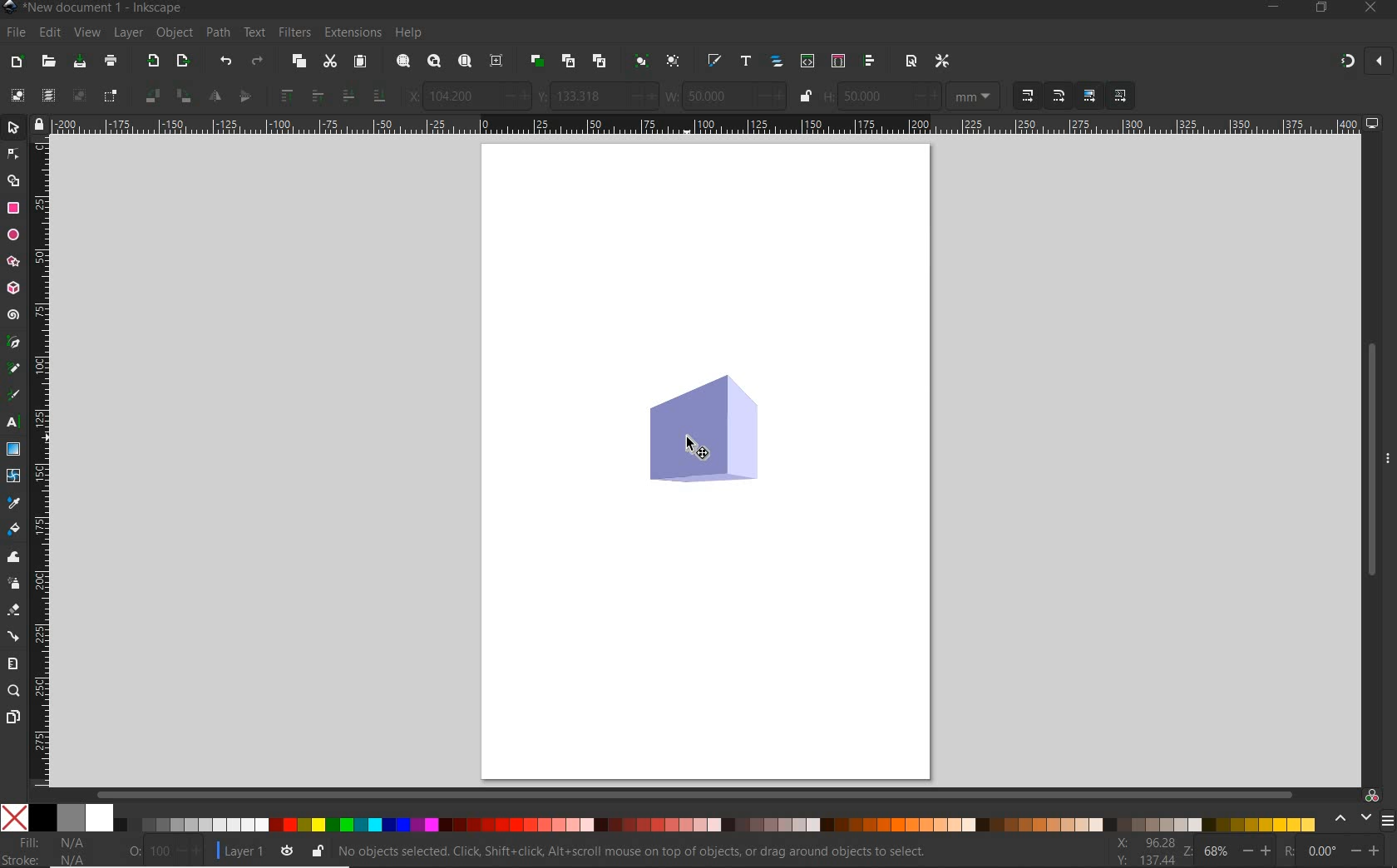  Describe the element at coordinates (1372, 796) in the screenshot. I see `color managed code` at that location.